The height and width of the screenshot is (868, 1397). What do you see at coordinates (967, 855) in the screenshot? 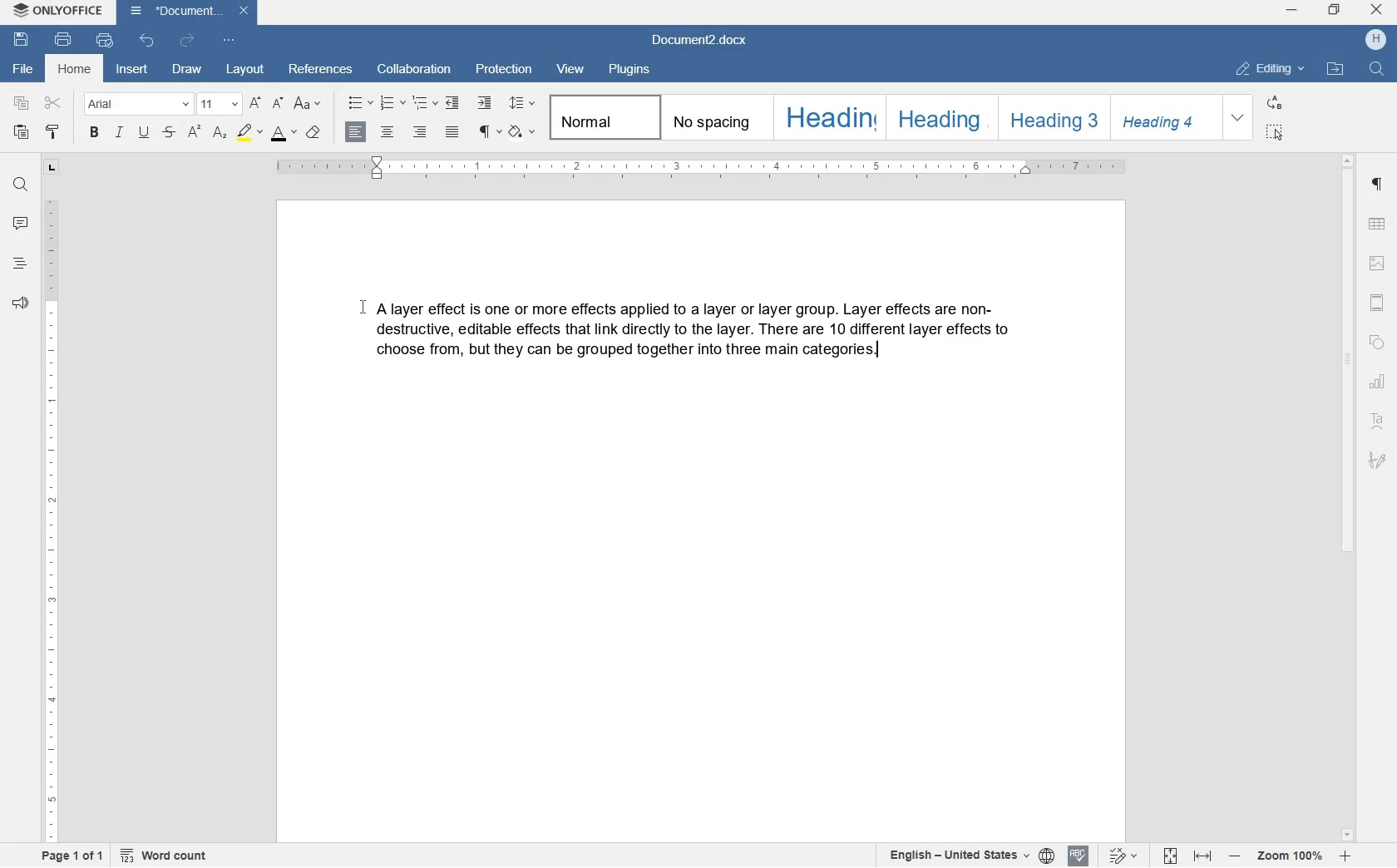
I see `set text or document language` at bounding box center [967, 855].